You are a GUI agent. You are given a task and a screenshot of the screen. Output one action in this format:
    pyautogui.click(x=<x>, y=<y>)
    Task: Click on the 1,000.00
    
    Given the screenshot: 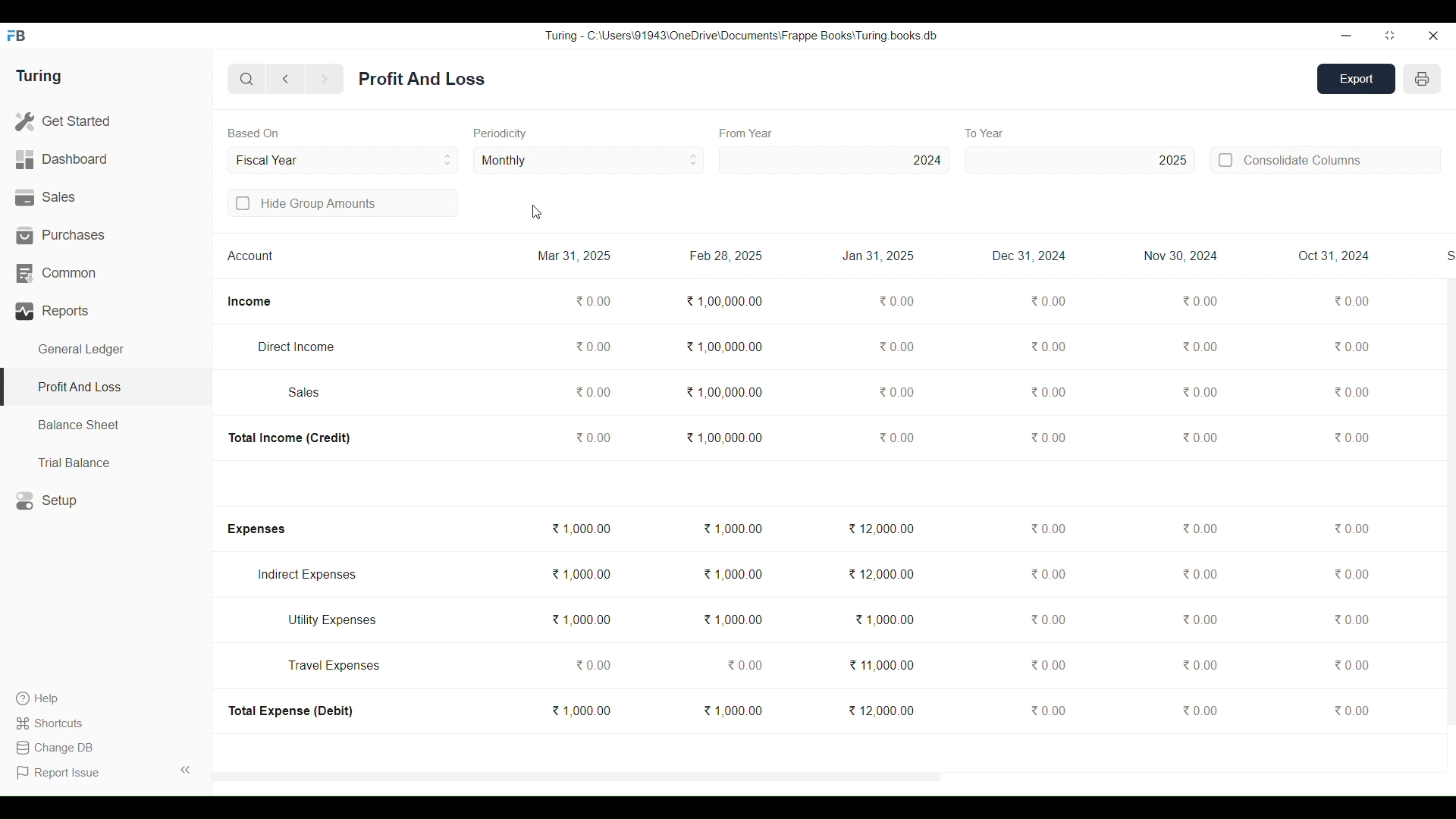 What is the action you would take?
    pyautogui.click(x=733, y=529)
    